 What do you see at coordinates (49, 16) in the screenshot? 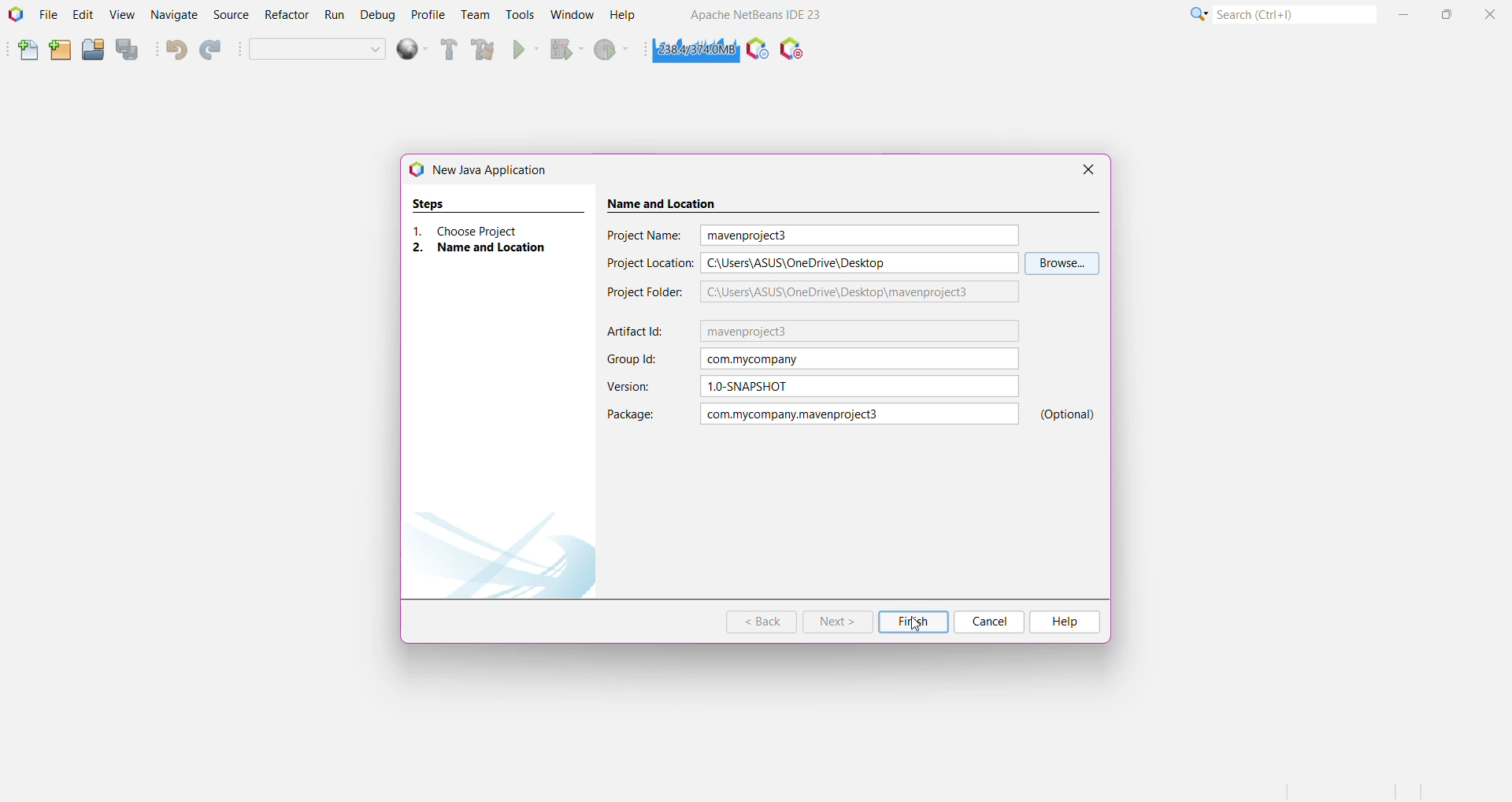
I see `File` at bounding box center [49, 16].